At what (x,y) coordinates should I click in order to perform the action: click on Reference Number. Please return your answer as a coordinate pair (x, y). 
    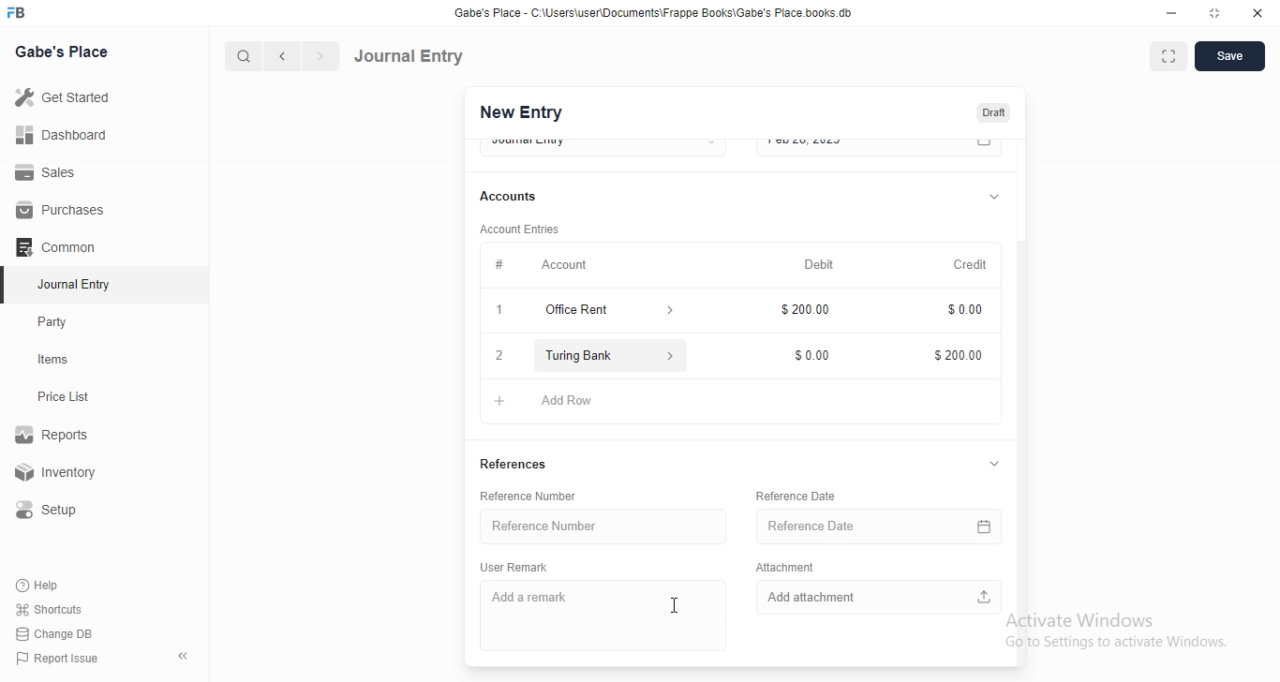
    Looking at the image, I should click on (541, 496).